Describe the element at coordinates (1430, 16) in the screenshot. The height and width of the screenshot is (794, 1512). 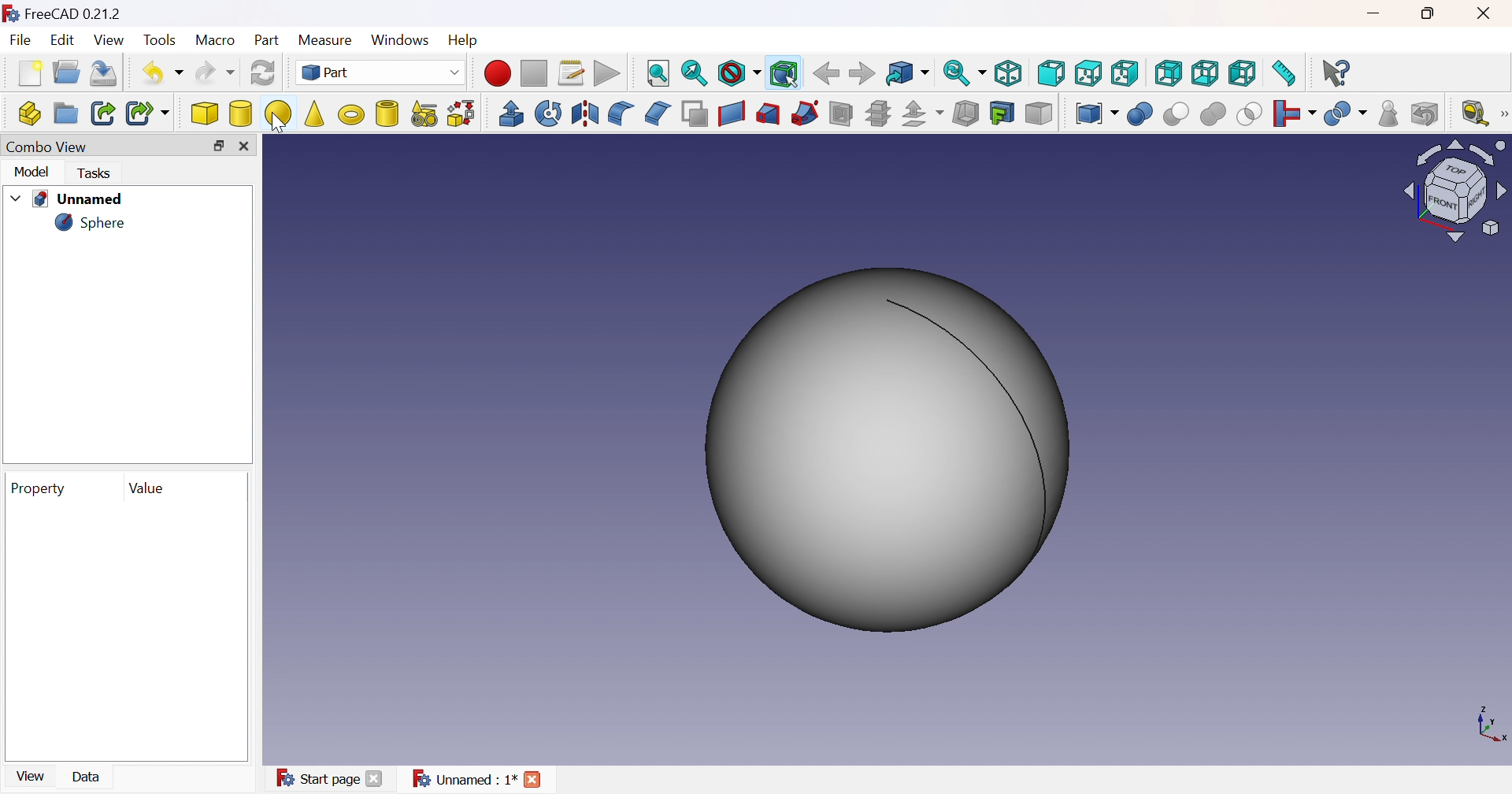
I see `Restore down` at that location.